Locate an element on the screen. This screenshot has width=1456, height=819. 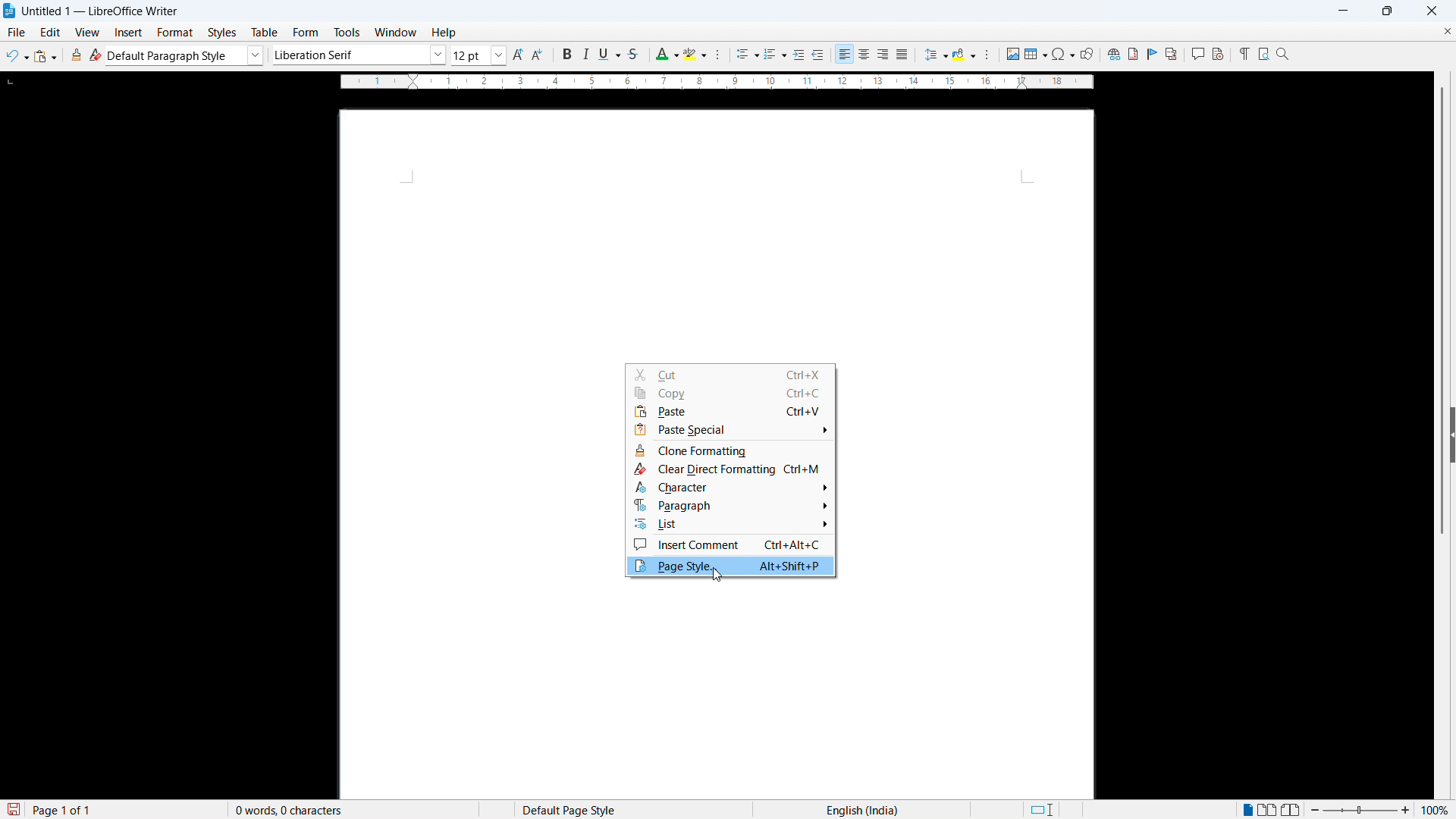
Toggle formatting marks  is located at coordinates (1242, 53).